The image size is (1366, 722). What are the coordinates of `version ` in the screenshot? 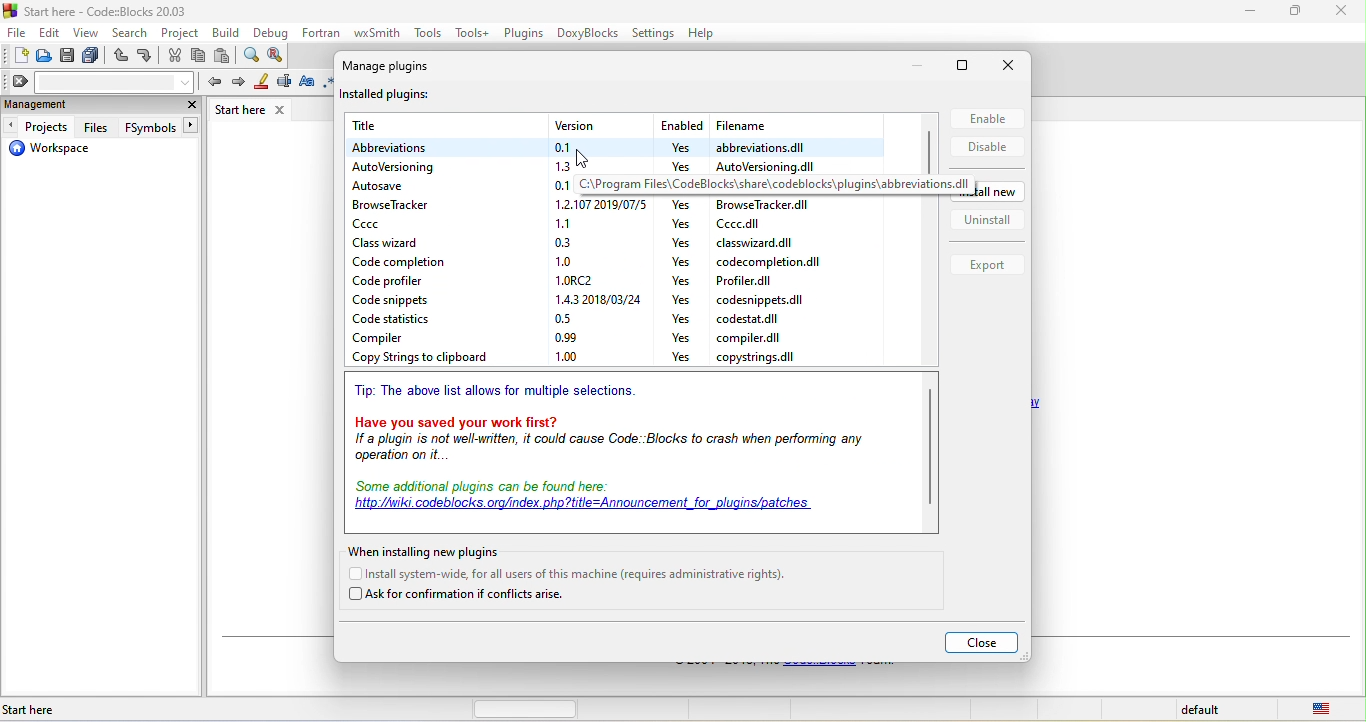 It's located at (567, 354).